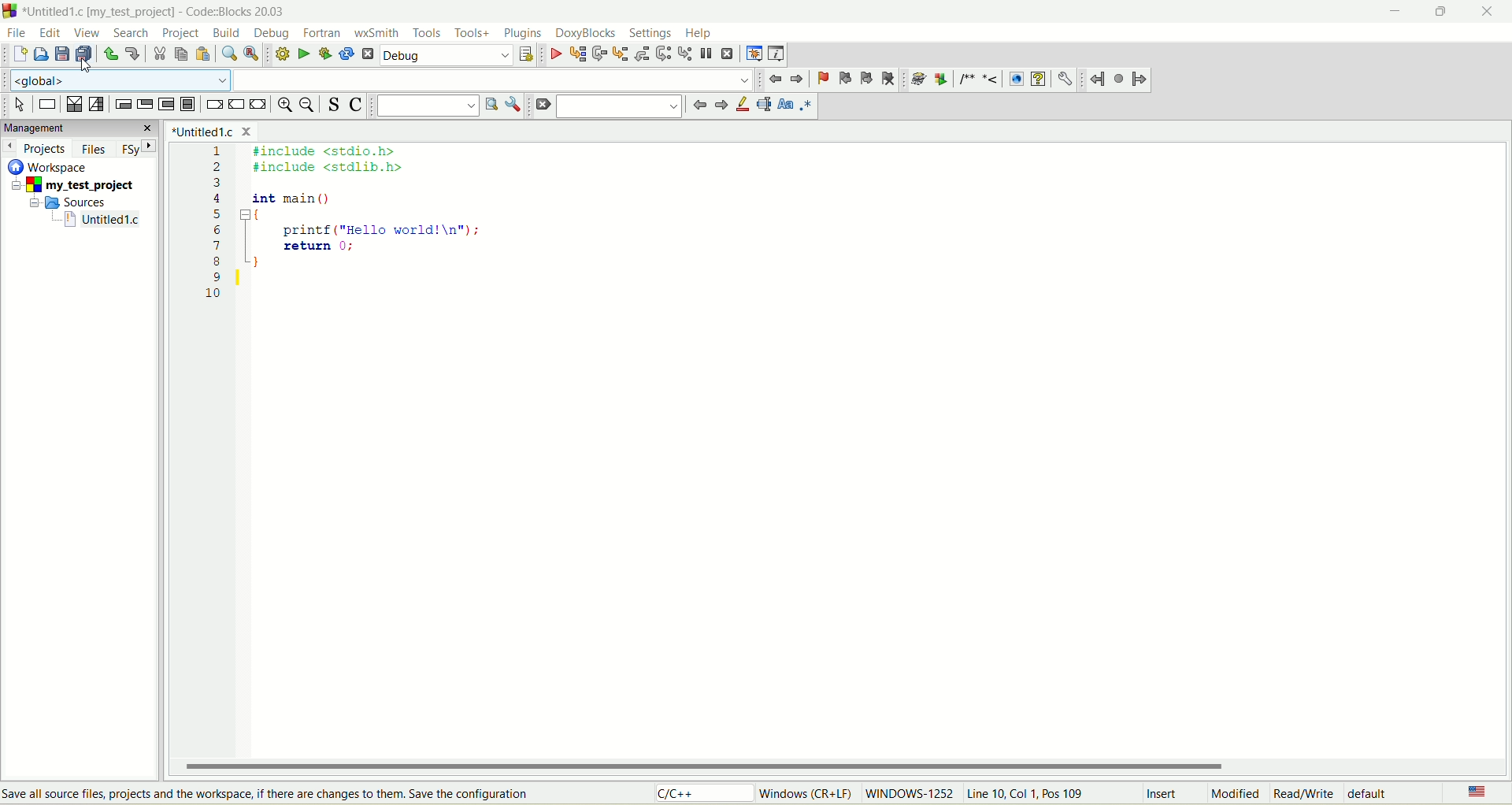 This screenshot has height=805, width=1512. I want to click on search, so click(622, 108).